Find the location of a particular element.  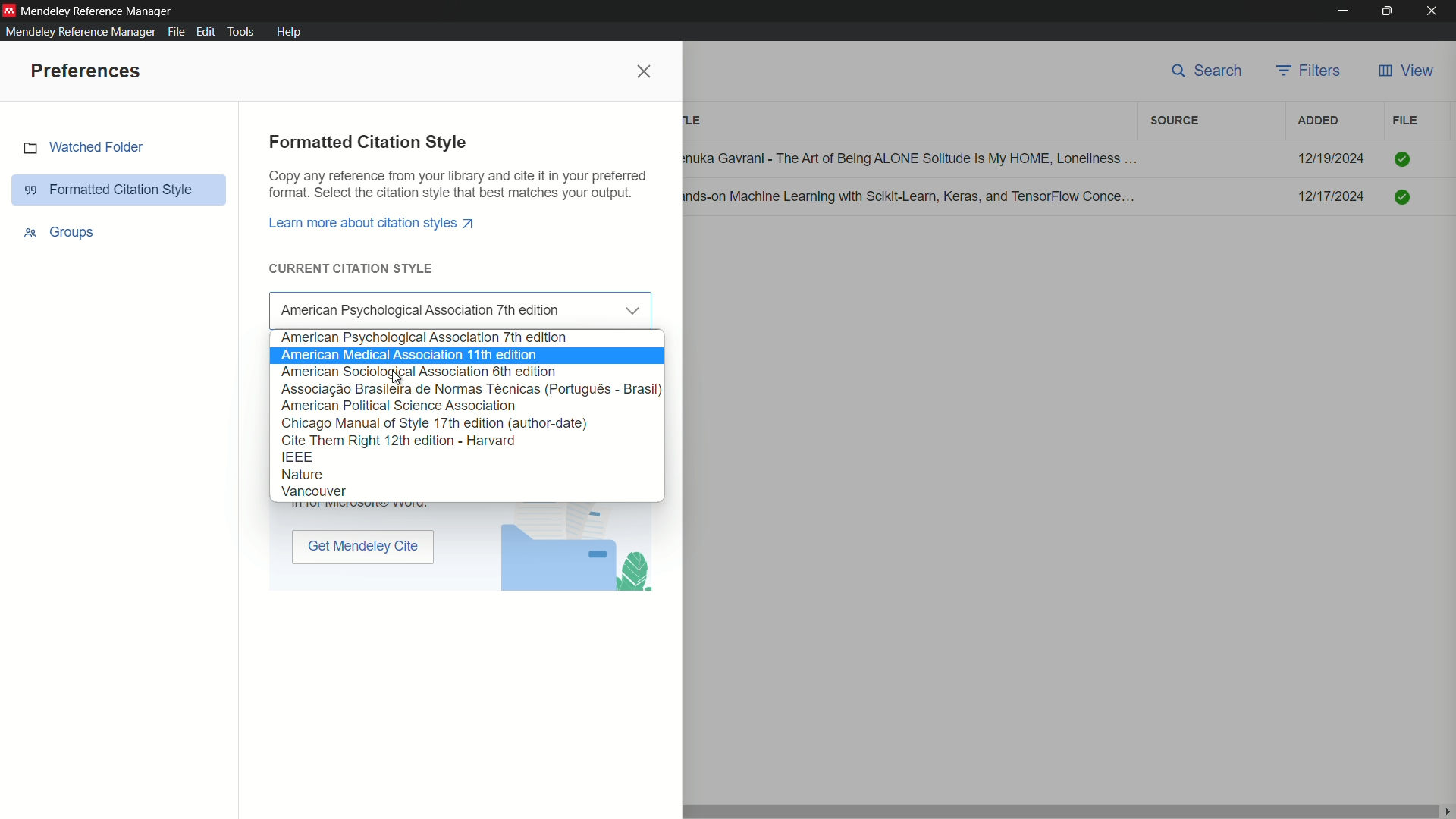

Checked is located at coordinates (1402, 159).